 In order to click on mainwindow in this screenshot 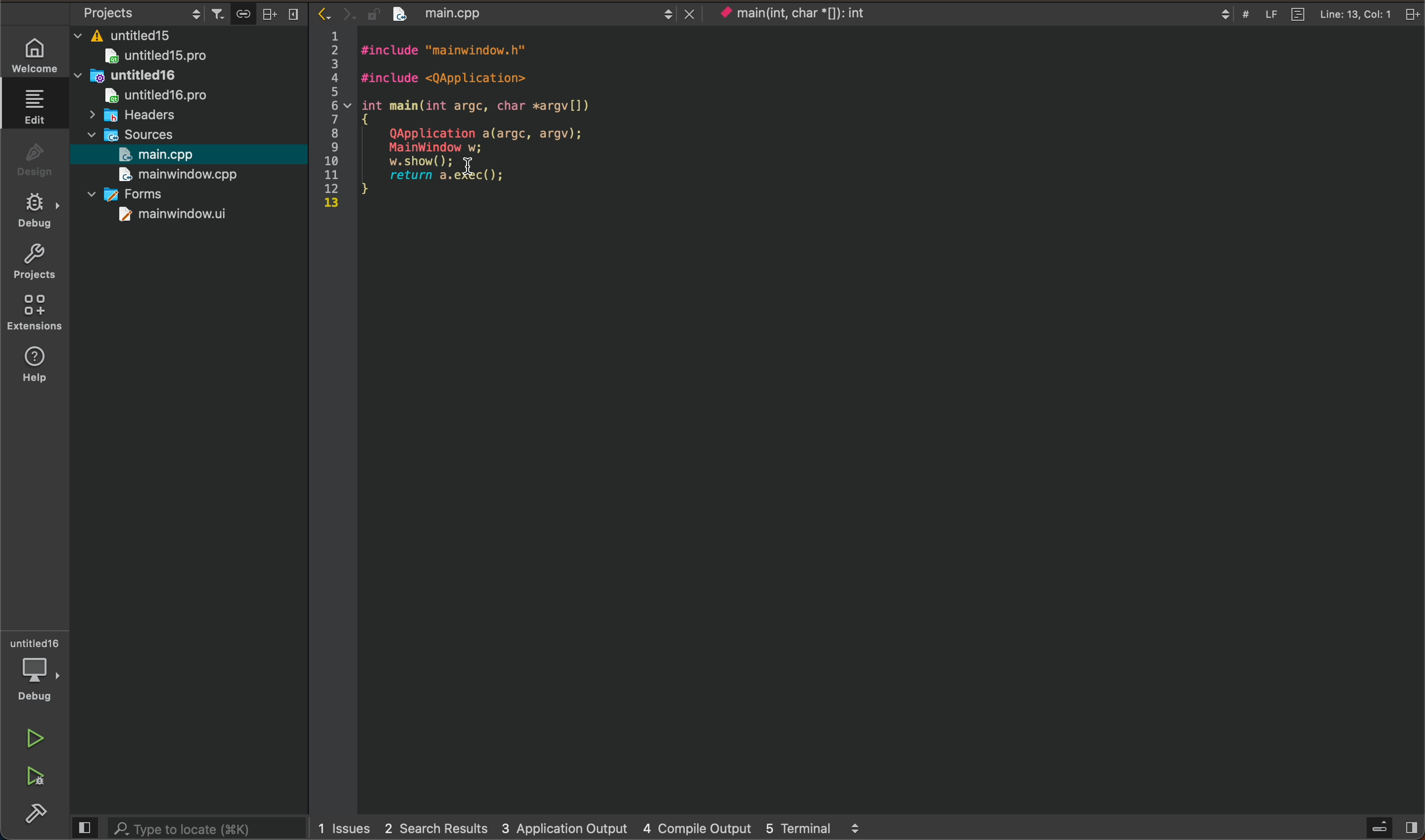, I will do `click(173, 215)`.